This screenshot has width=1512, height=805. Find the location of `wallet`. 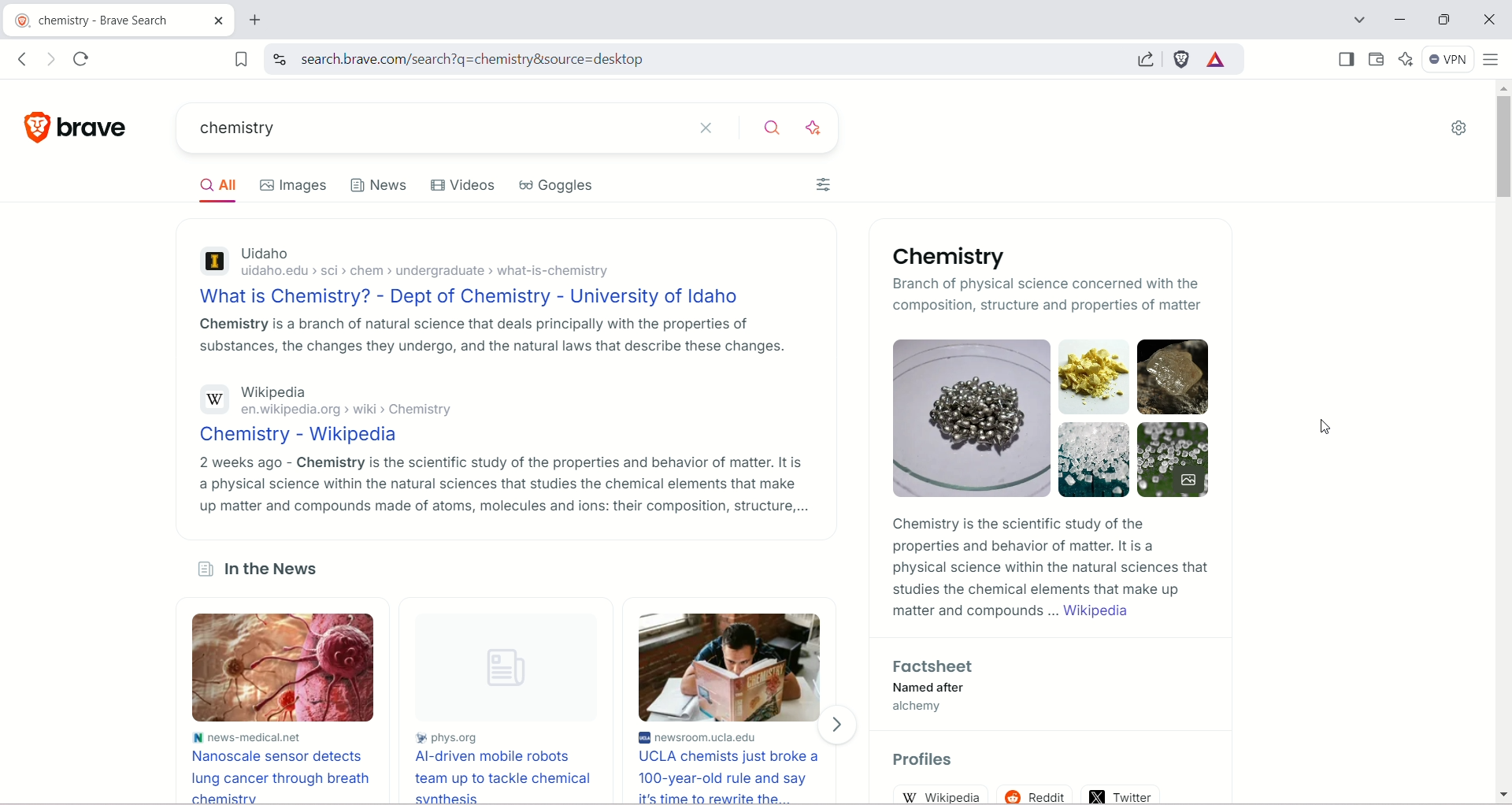

wallet is located at coordinates (1377, 57).